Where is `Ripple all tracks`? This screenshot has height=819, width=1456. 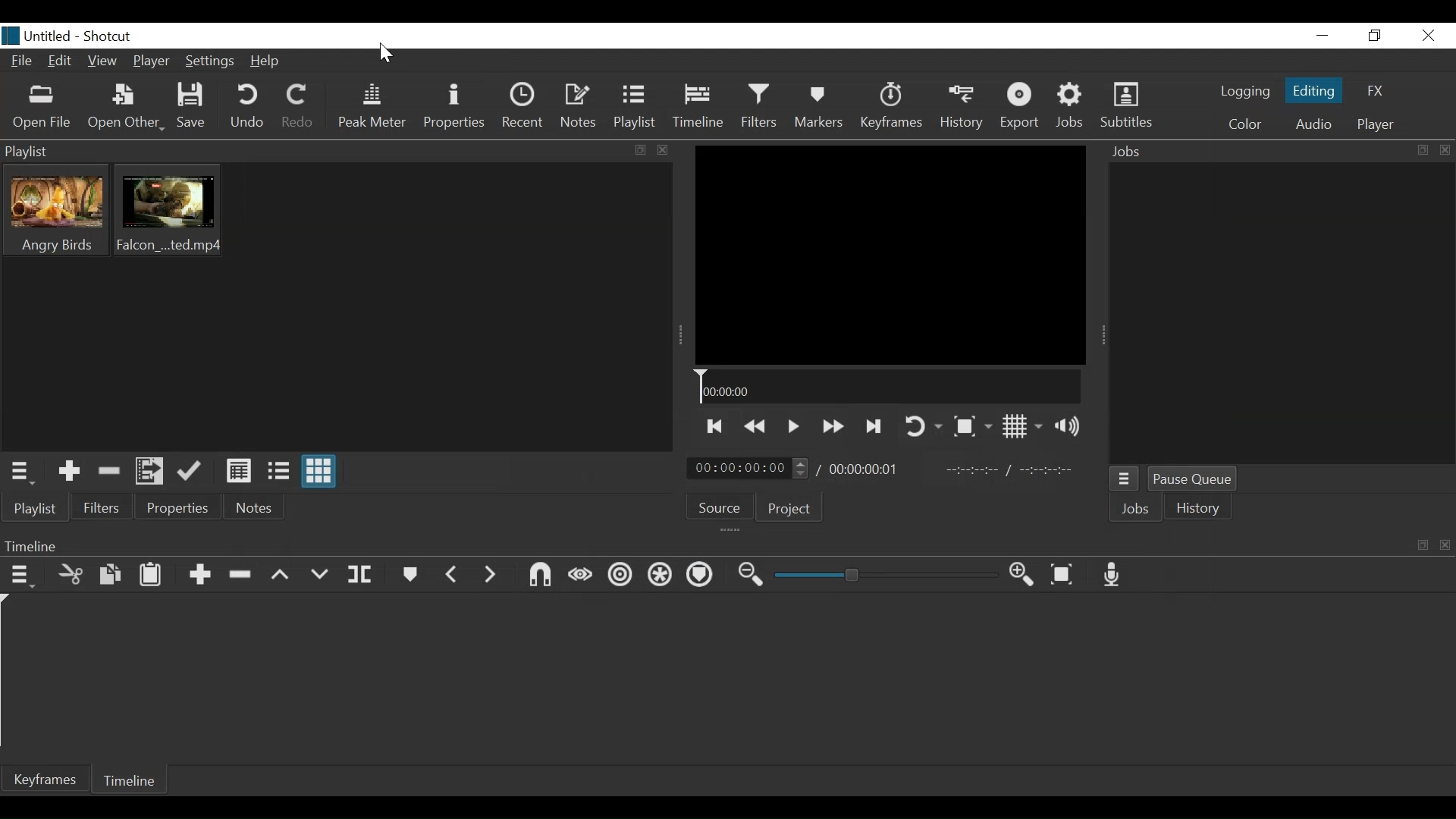 Ripple all tracks is located at coordinates (661, 576).